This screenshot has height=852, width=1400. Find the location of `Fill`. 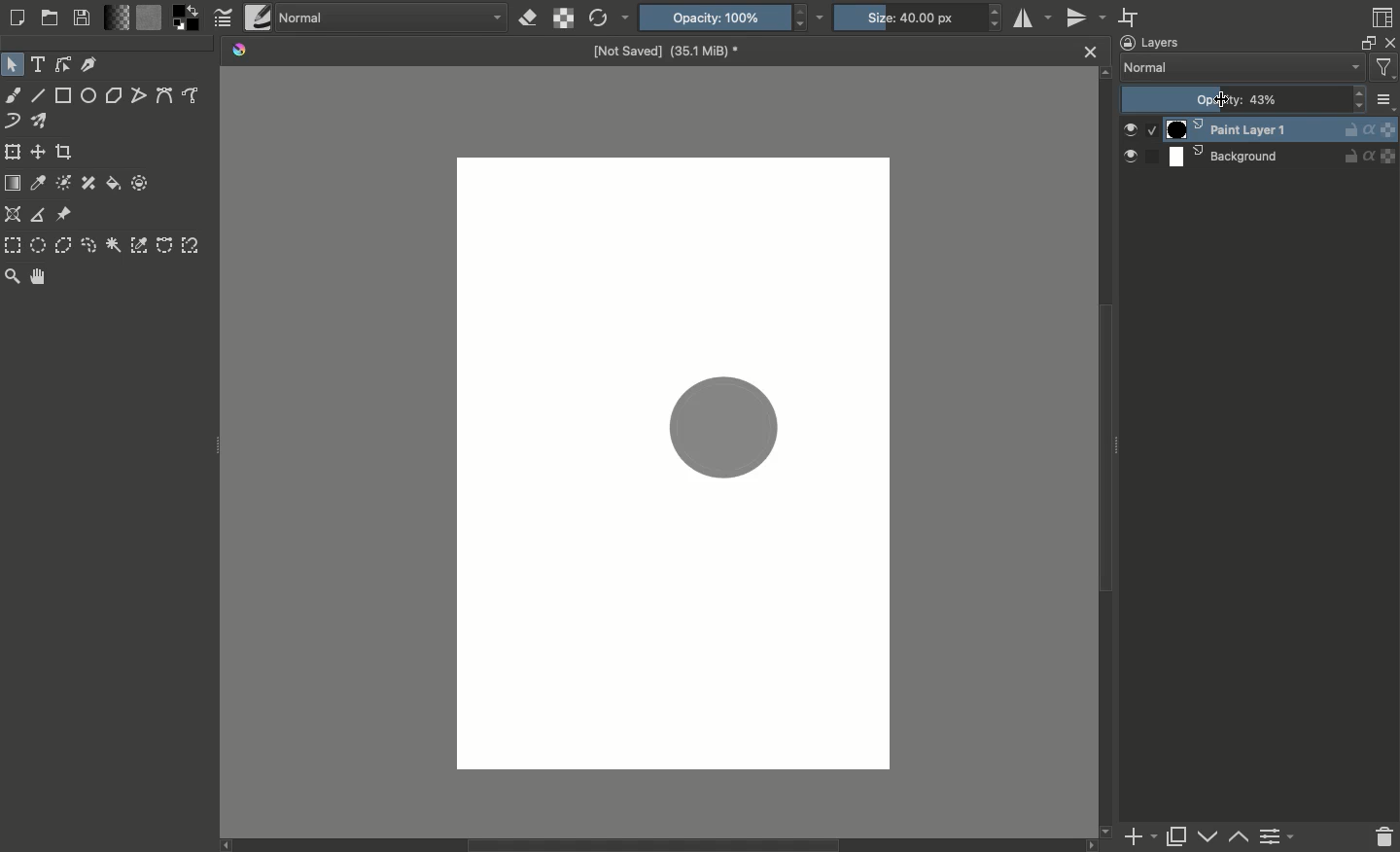

Fill is located at coordinates (115, 185).